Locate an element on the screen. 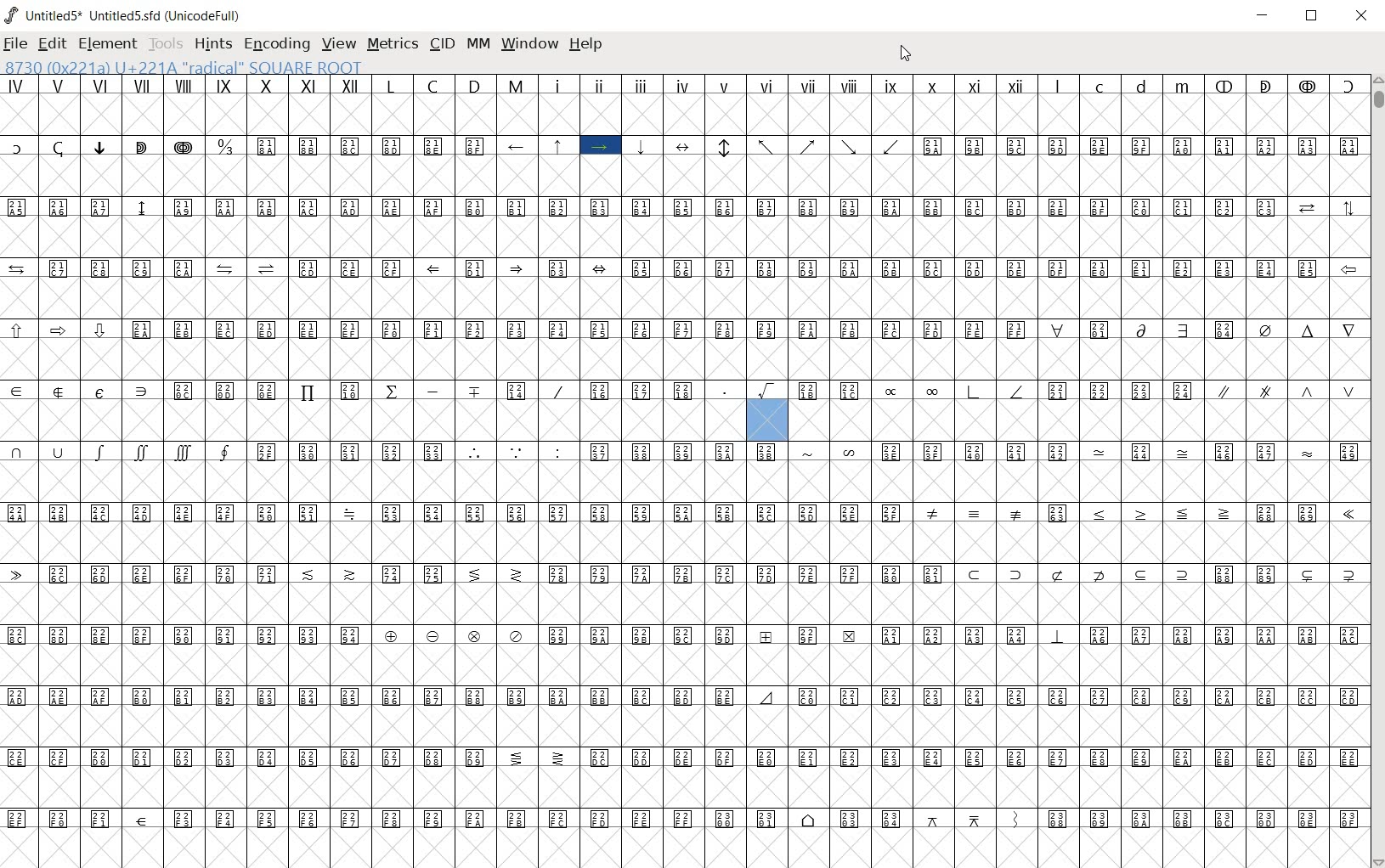  8730 (0x221a) U+221A "radical" SQUARE ROOT is located at coordinates (769, 410).